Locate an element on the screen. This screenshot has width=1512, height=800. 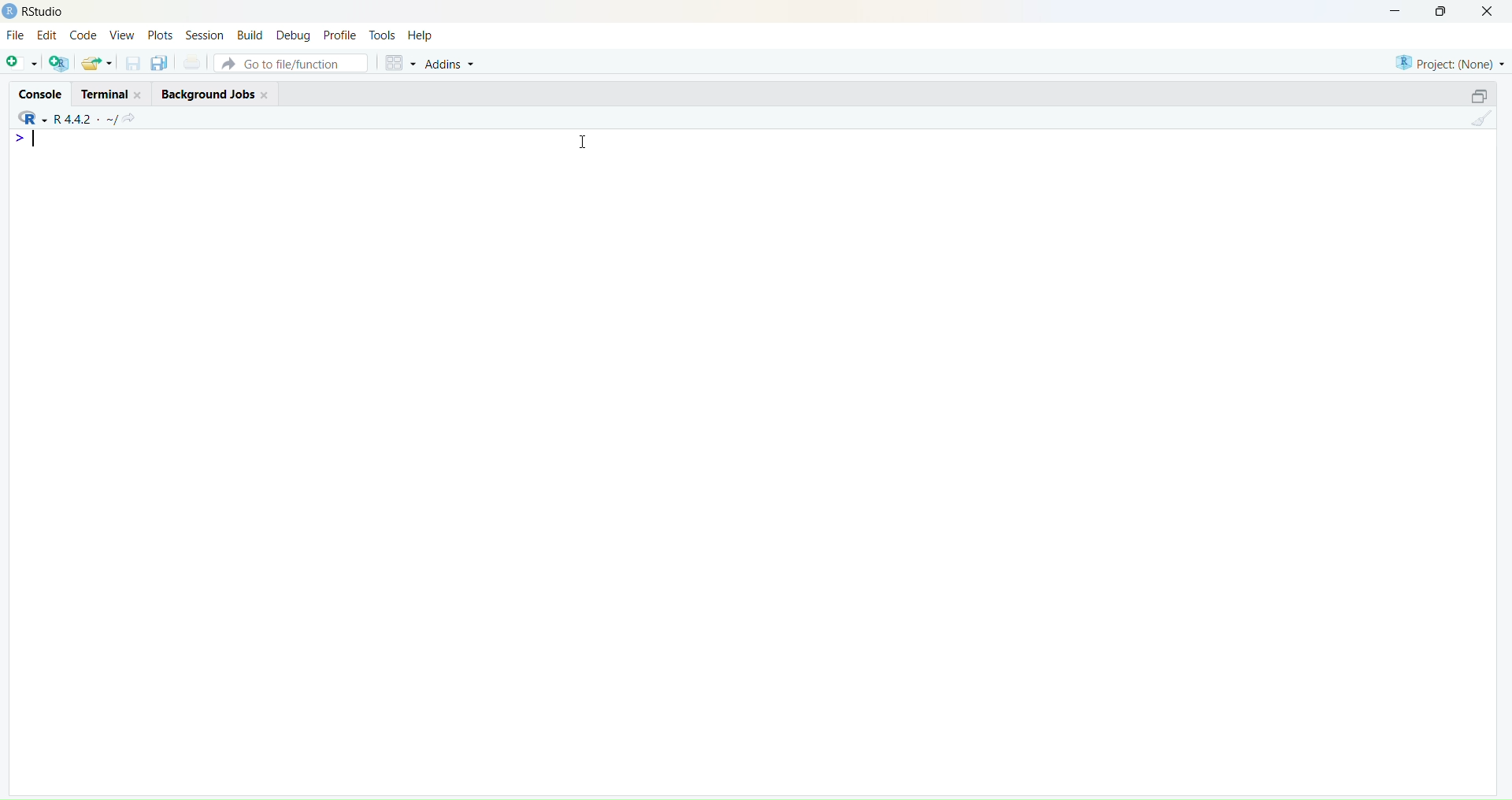
R 4.4.2 ~/ is located at coordinates (87, 120).